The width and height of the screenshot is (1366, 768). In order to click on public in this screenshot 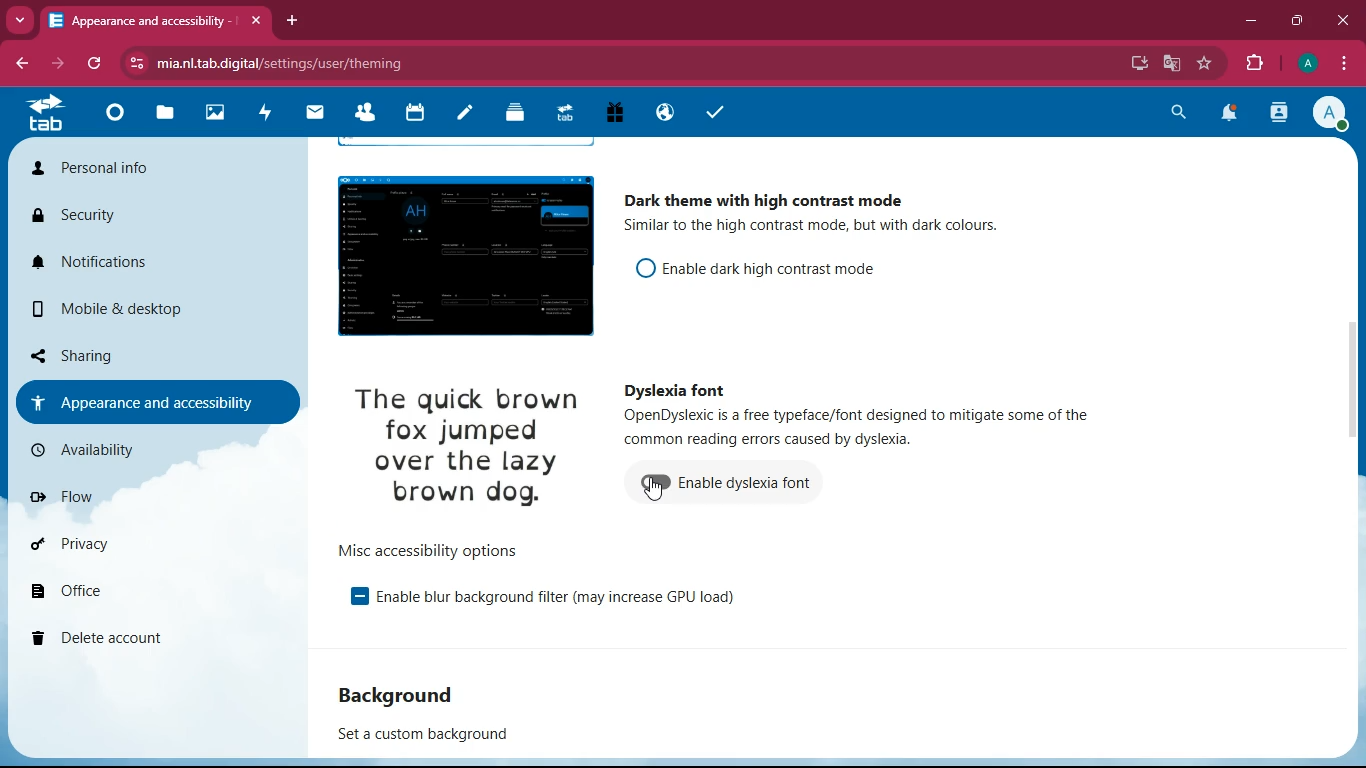, I will do `click(661, 112)`.